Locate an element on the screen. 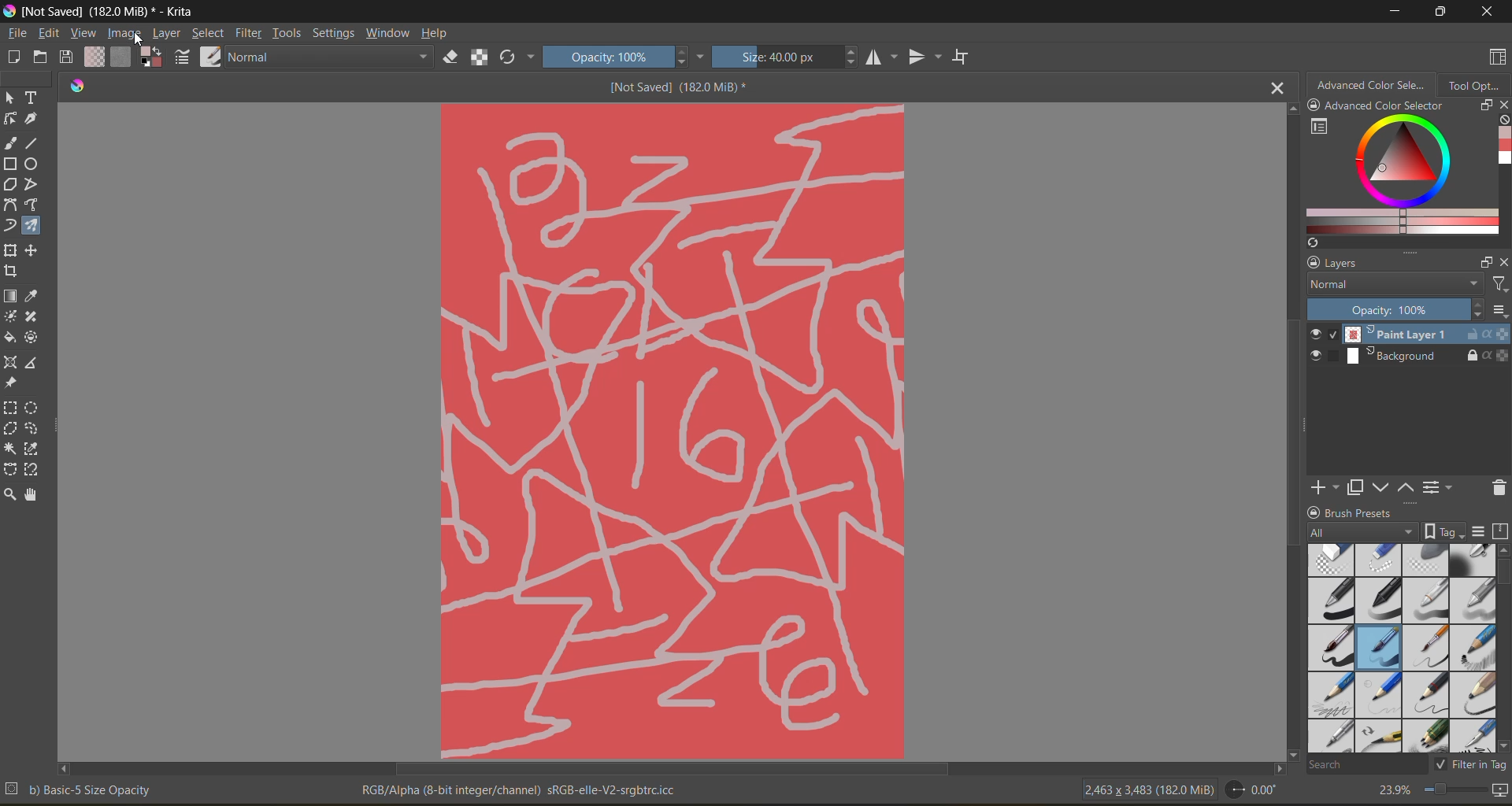  vertical scroll bar is located at coordinates (1295, 445).